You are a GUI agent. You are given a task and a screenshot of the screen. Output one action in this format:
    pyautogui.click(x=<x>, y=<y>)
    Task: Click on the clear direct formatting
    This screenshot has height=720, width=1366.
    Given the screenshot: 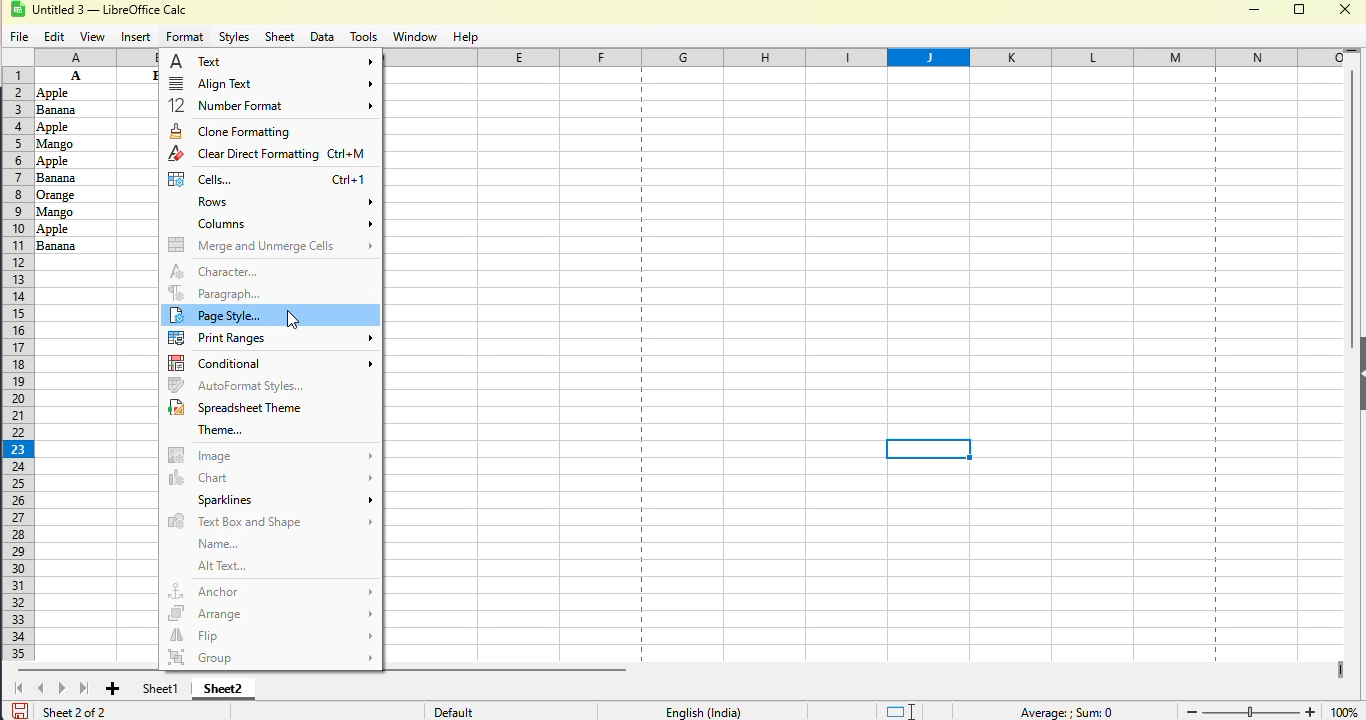 What is the action you would take?
    pyautogui.click(x=243, y=154)
    